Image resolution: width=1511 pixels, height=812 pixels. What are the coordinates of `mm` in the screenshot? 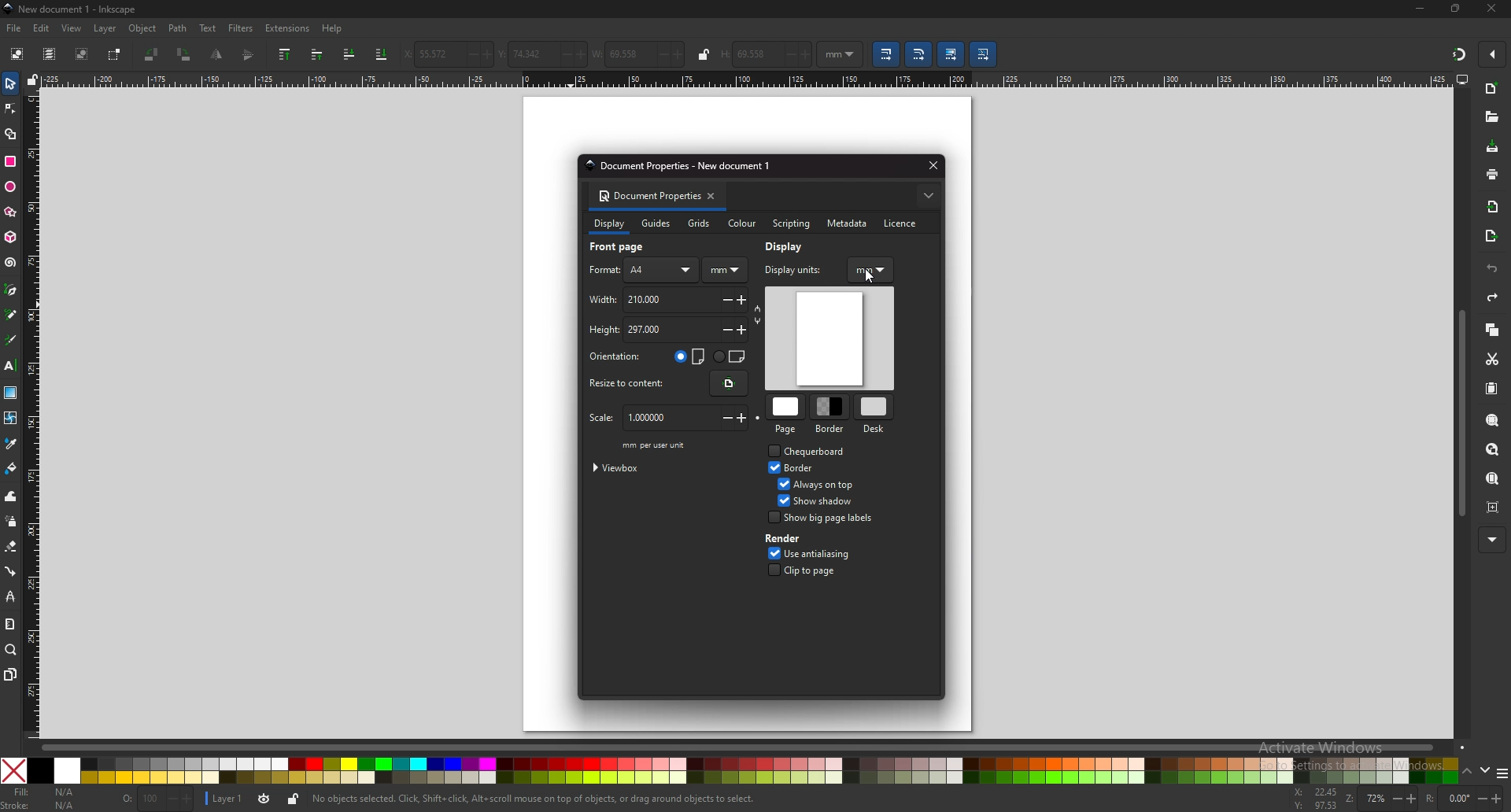 It's located at (830, 54).